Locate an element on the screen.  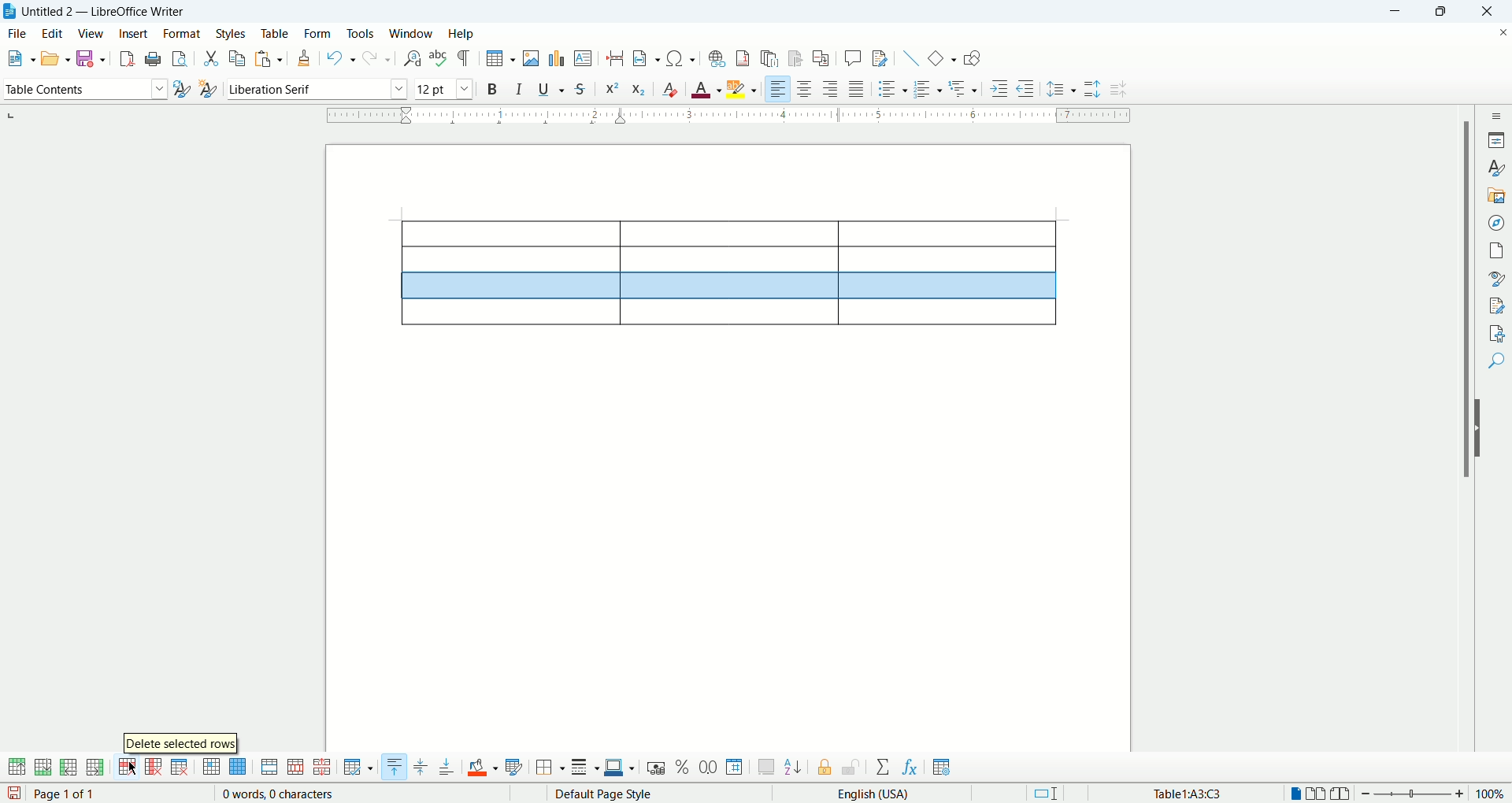
style is located at coordinates (1498, 170).